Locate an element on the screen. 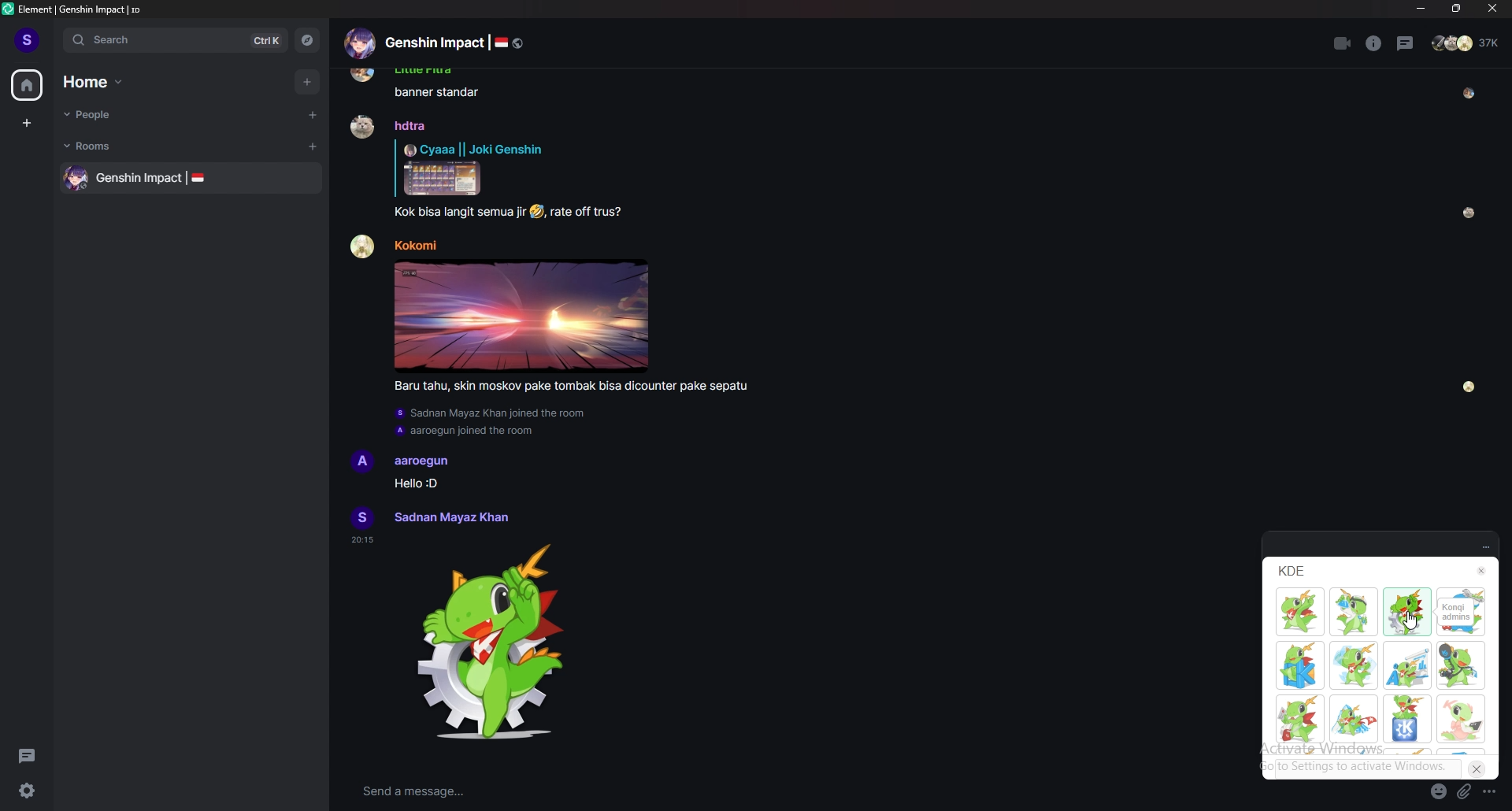 The image size is (1512, 811). rate off trus? is located at coordinates (587, 213).